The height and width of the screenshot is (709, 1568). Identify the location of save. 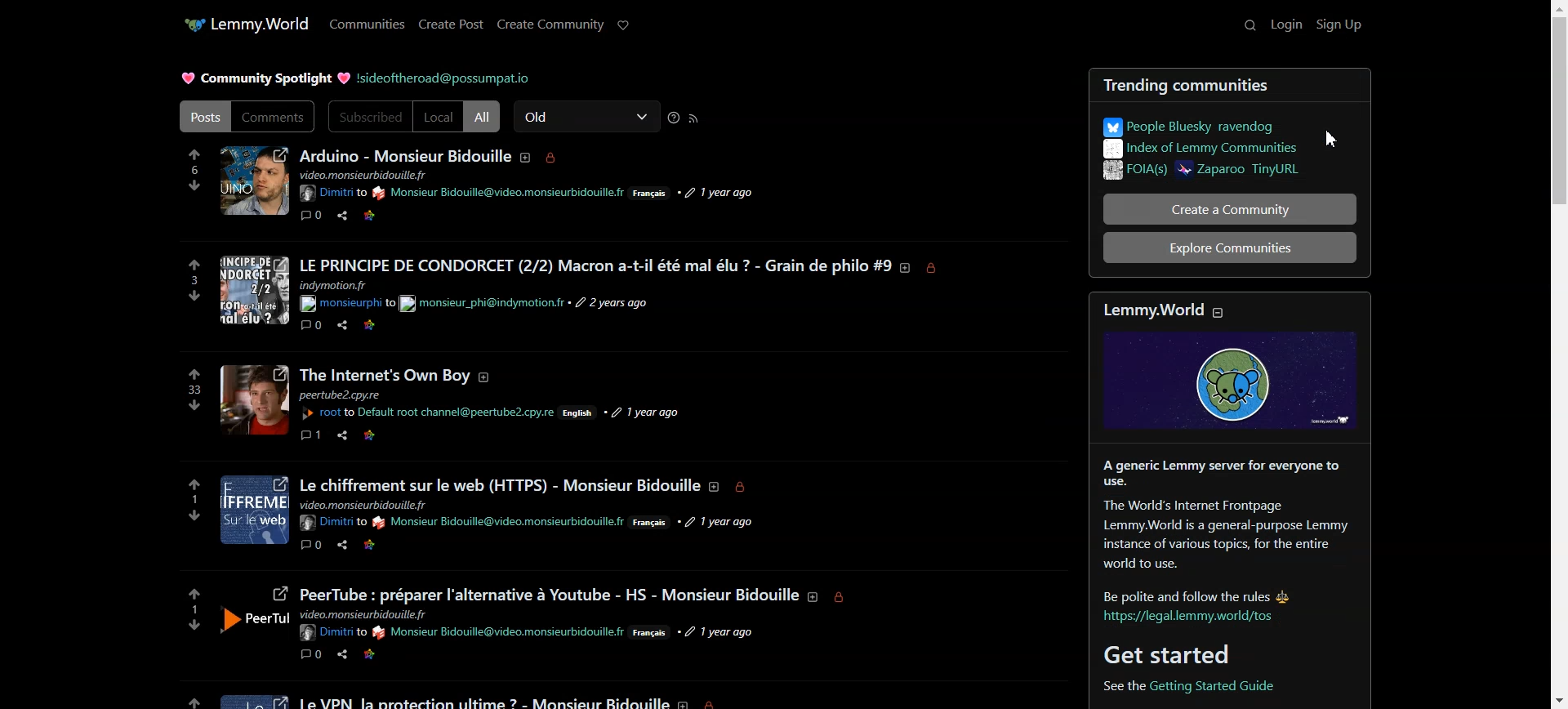
(396, 437).